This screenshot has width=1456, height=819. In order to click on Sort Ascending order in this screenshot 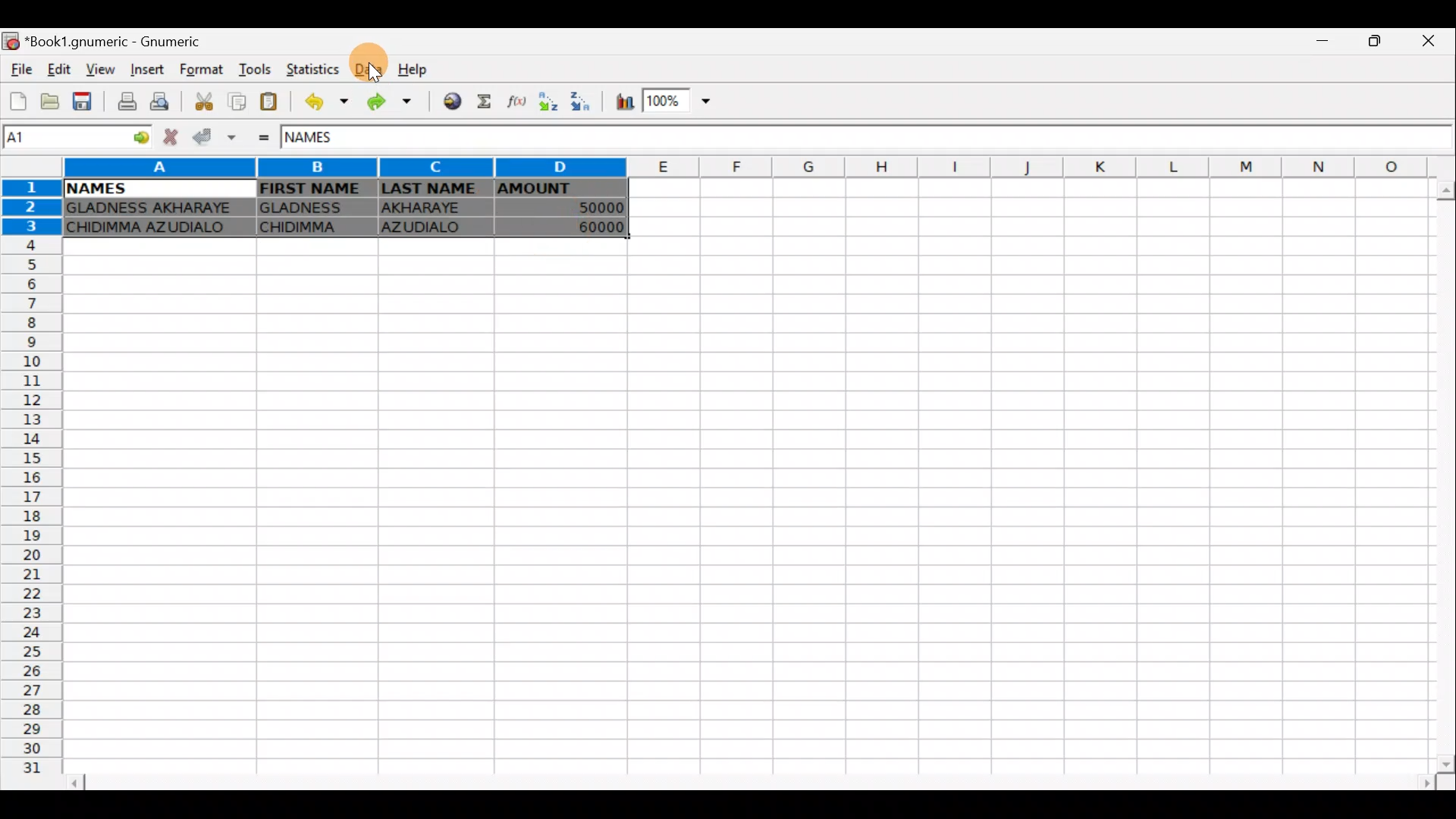, I will do `click(547, 102)`.